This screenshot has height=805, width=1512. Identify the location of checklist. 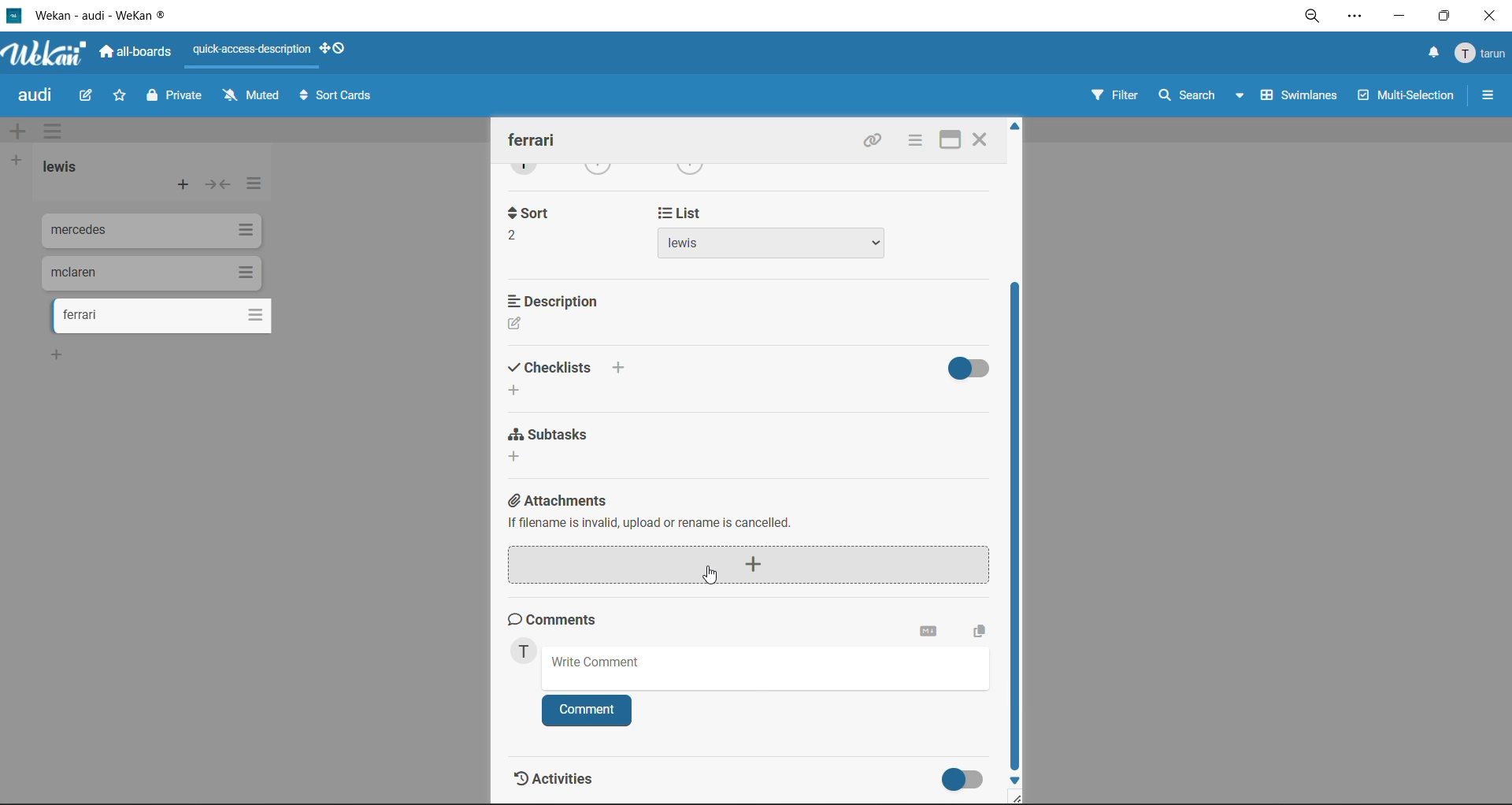
(569, 376).